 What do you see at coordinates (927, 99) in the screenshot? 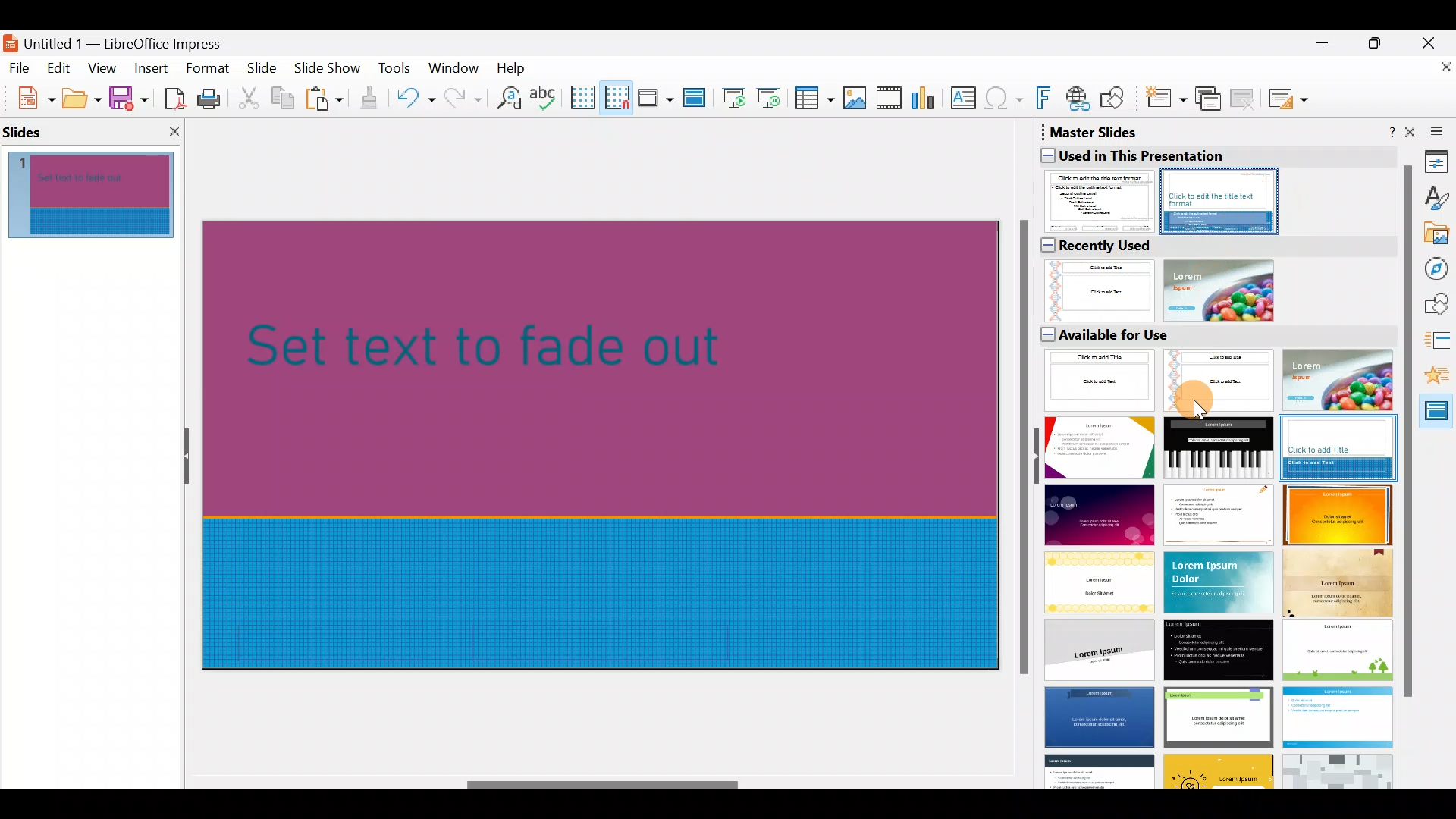
I see `Insert chart` at bounding box center [927, 99].